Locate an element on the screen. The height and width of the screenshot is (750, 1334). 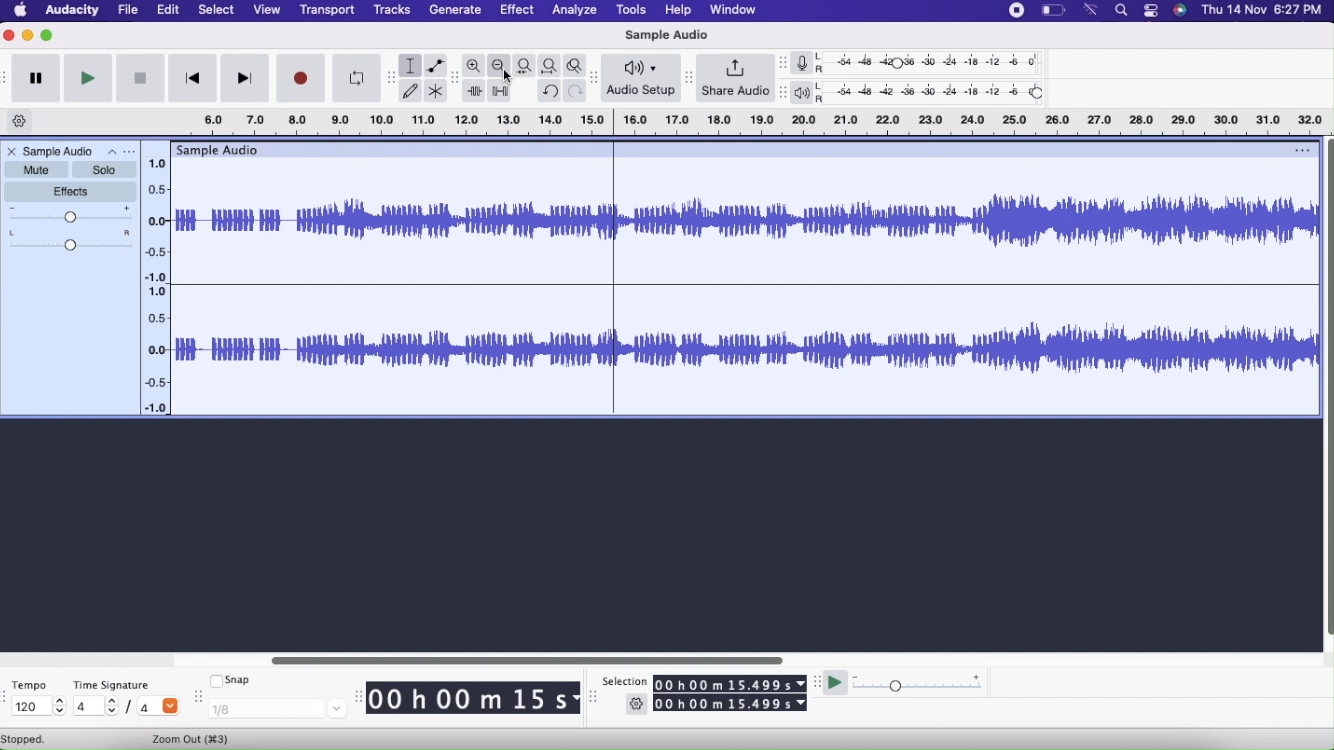
Click and drag to define a looping region is located at coordinates (762, 122).